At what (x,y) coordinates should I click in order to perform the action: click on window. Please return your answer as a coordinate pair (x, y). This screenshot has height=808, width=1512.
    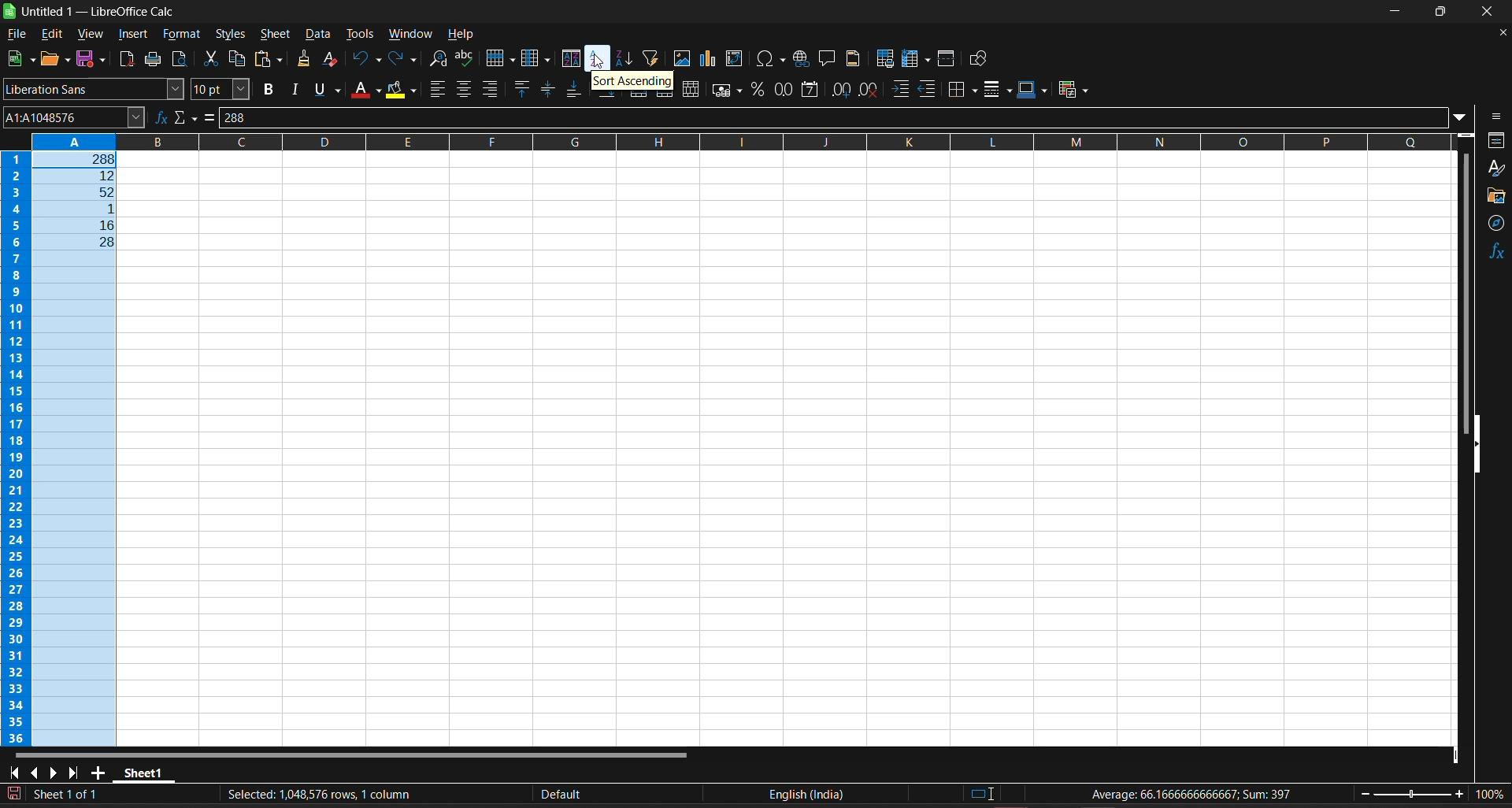
    Looking at the image, I should click on (413, 34).